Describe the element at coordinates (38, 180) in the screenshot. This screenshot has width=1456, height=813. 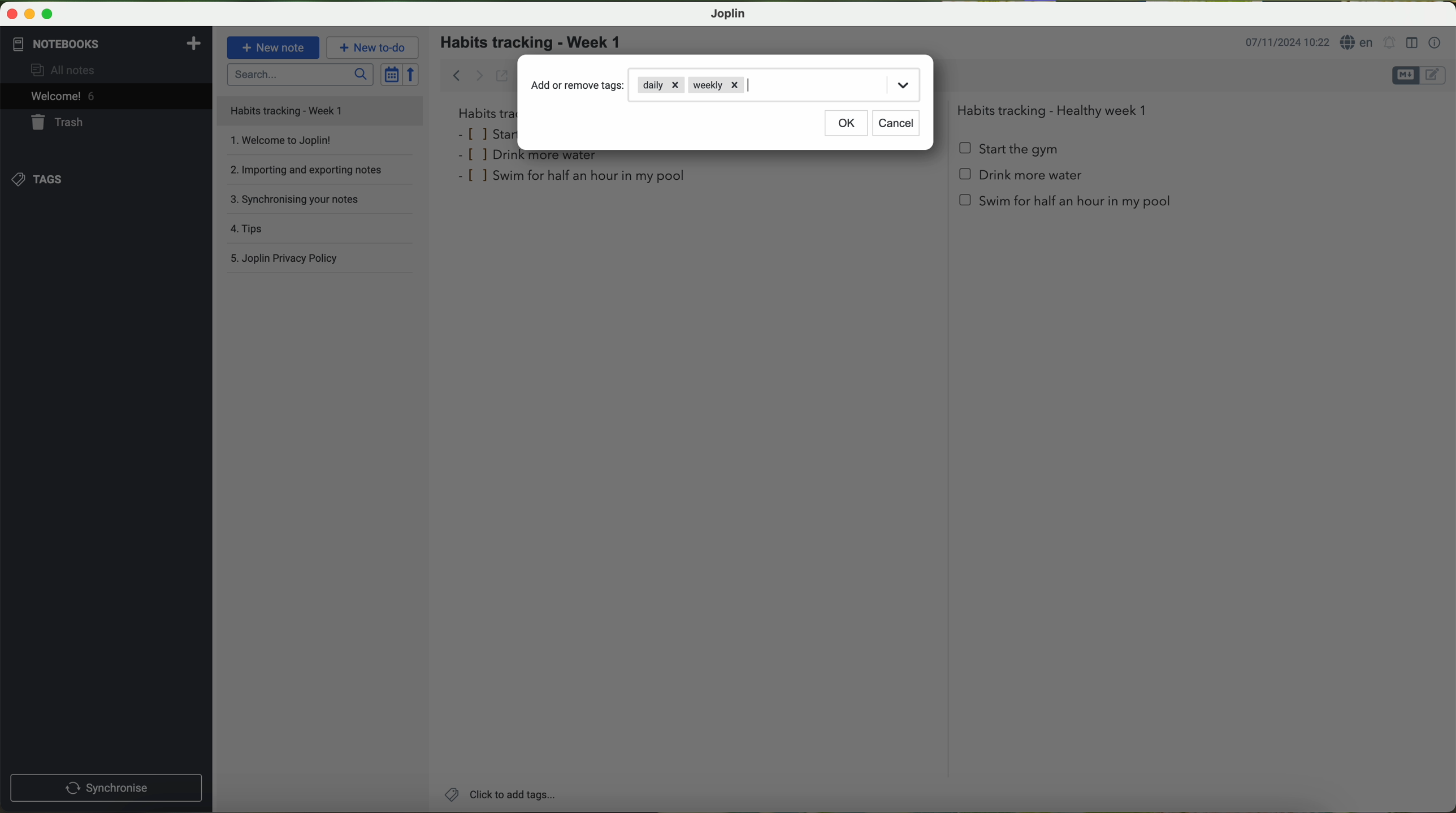
I see `tags` at that location.